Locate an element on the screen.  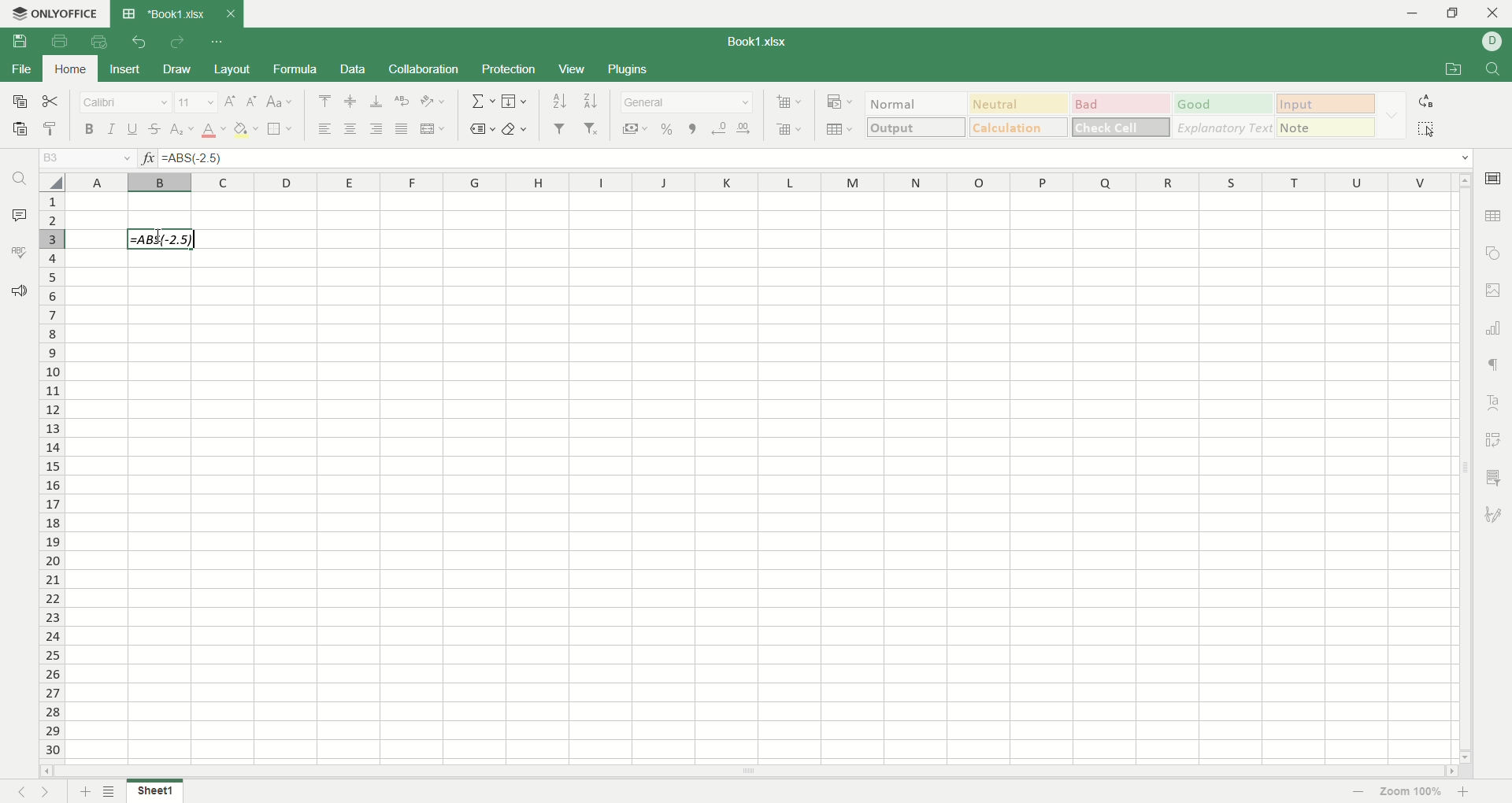
input is located at coordinates (1327, 127).